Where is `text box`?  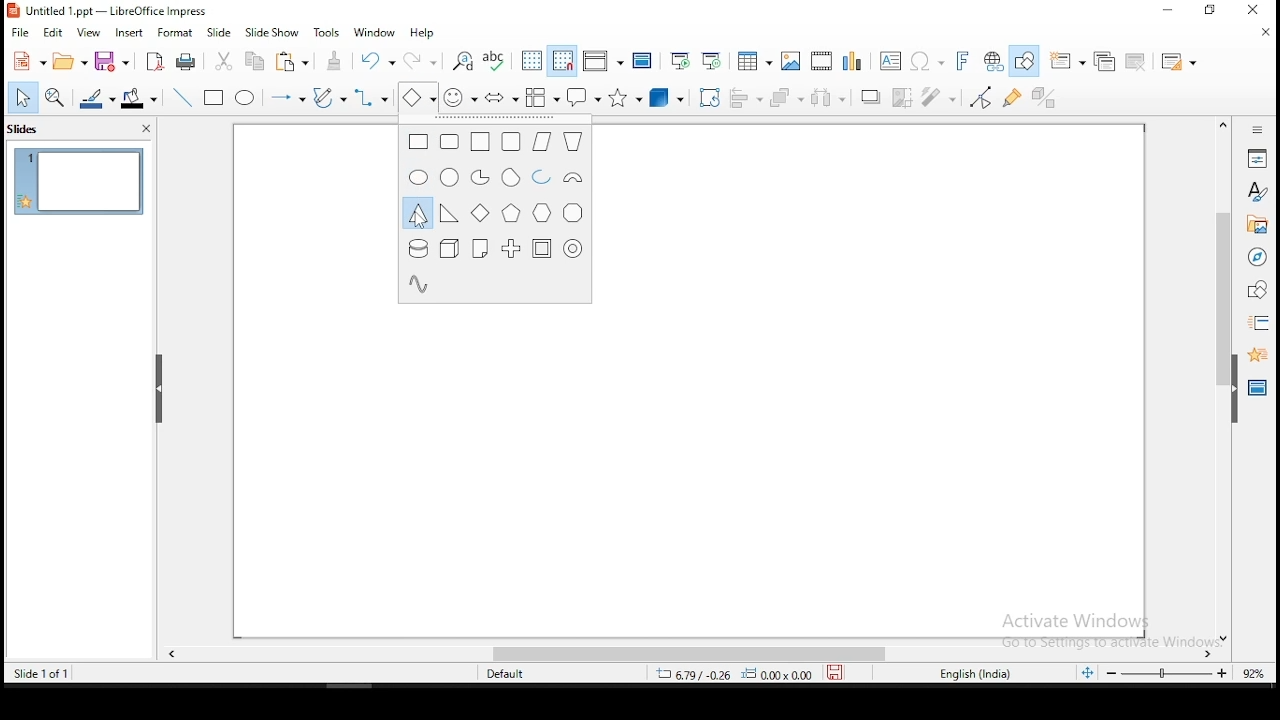
text box is located at coordinates (889, 60).